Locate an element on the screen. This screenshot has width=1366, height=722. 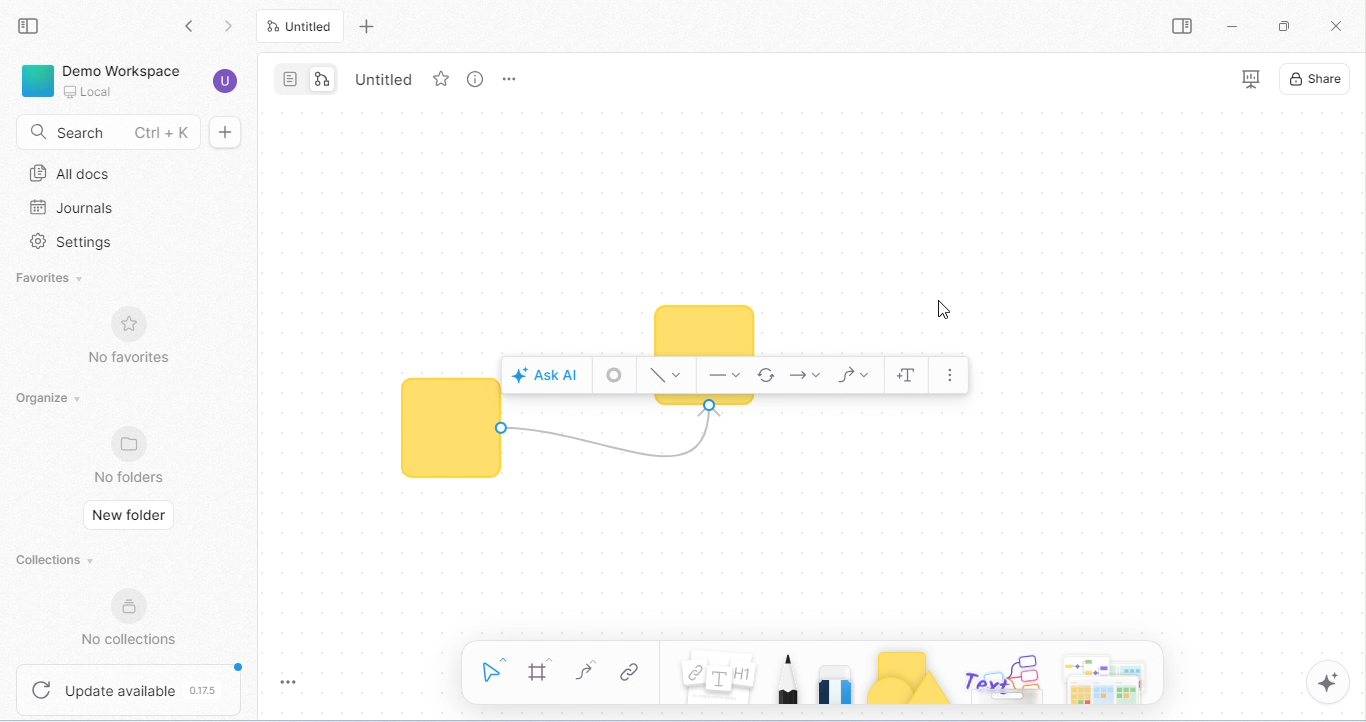
share is located at coordinates (1319, 81).